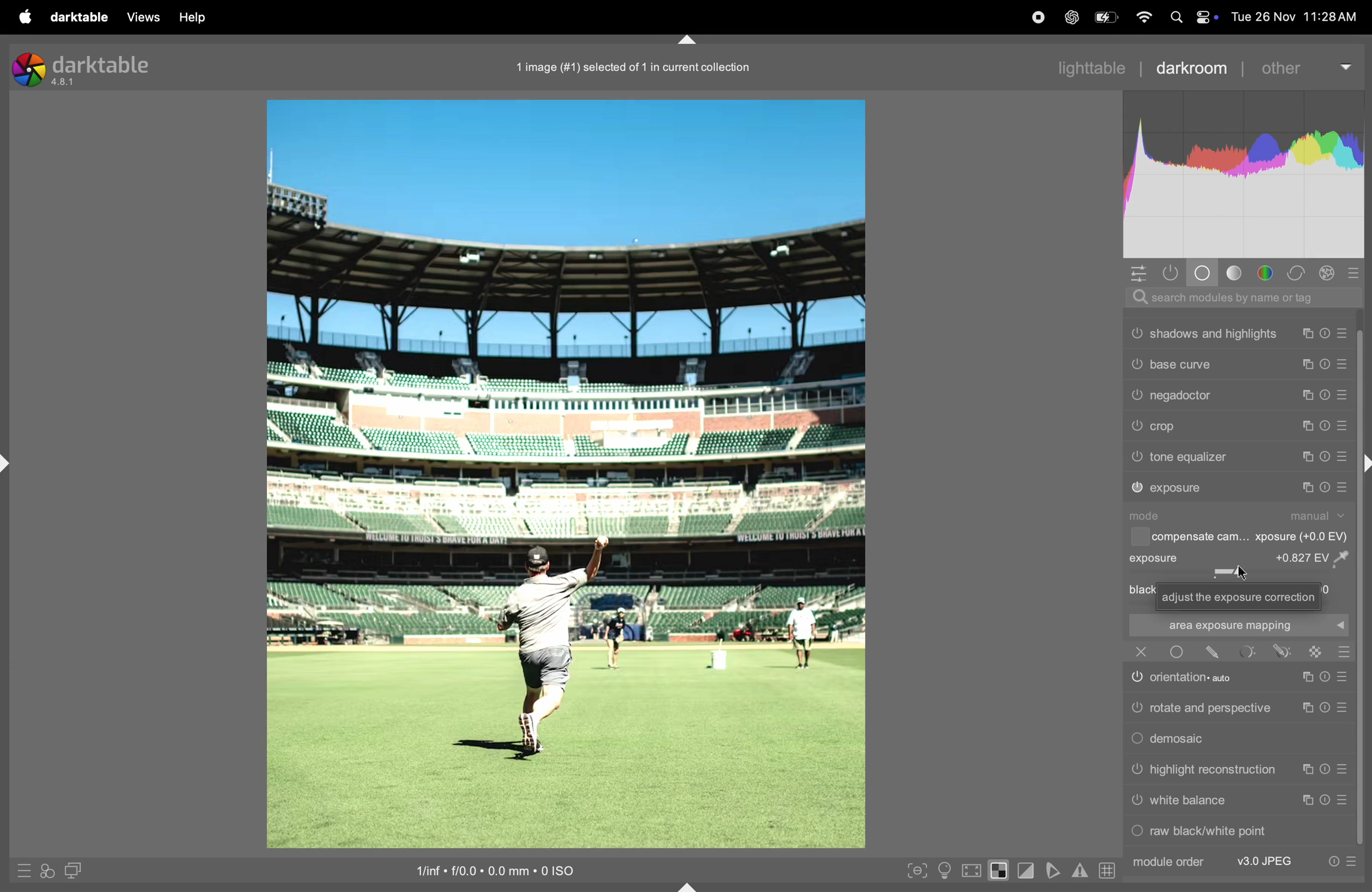  Describe the element at coordinates (1252, 538) in the screenshot. I see `compensate cam... xposure (+0.0 EV)` at that location.